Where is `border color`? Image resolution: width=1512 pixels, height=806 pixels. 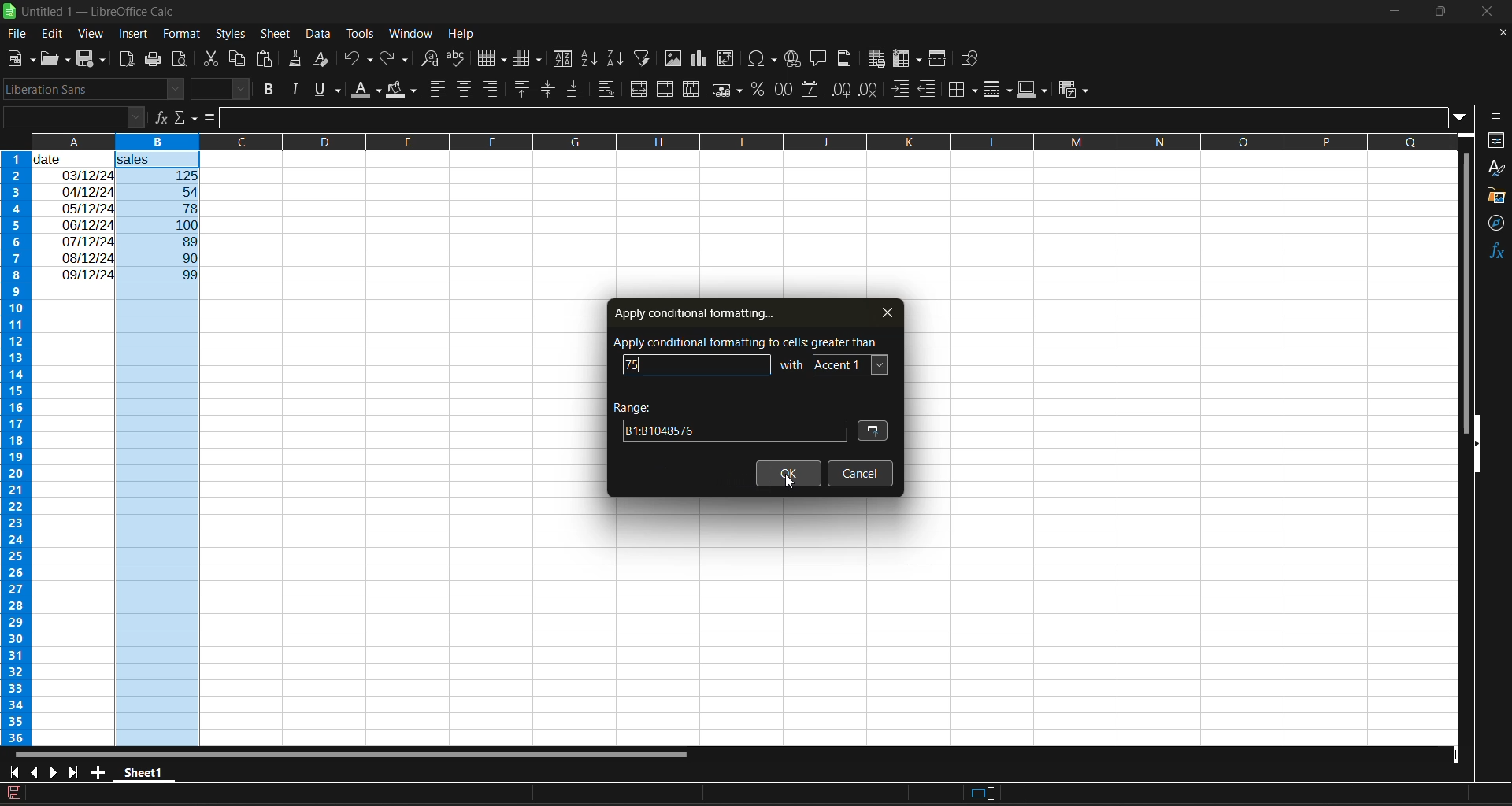
border color is located at coordinates (1032, 90).